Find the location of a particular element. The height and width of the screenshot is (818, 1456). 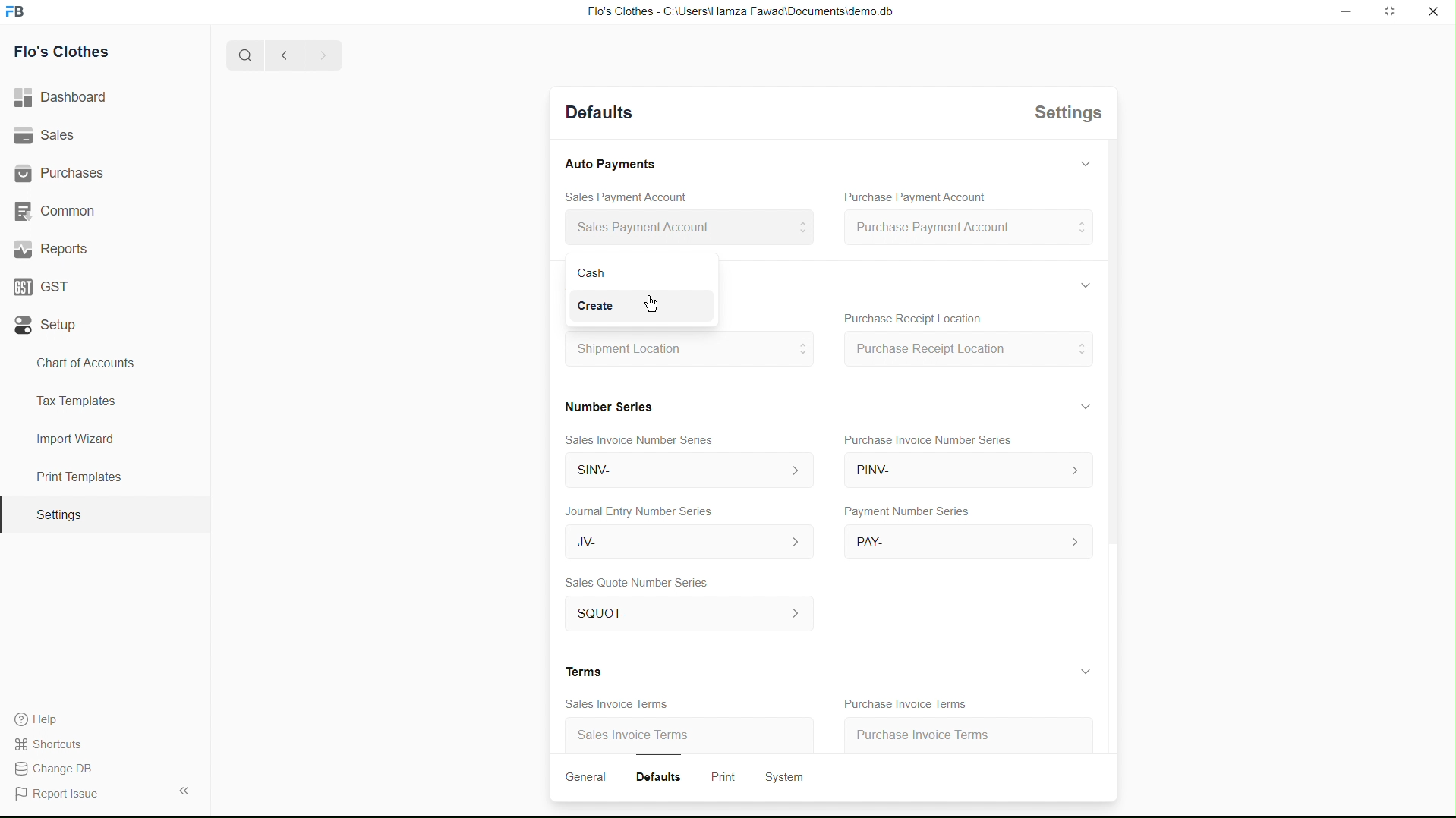

Change DB is located at coordinates (58, 769).